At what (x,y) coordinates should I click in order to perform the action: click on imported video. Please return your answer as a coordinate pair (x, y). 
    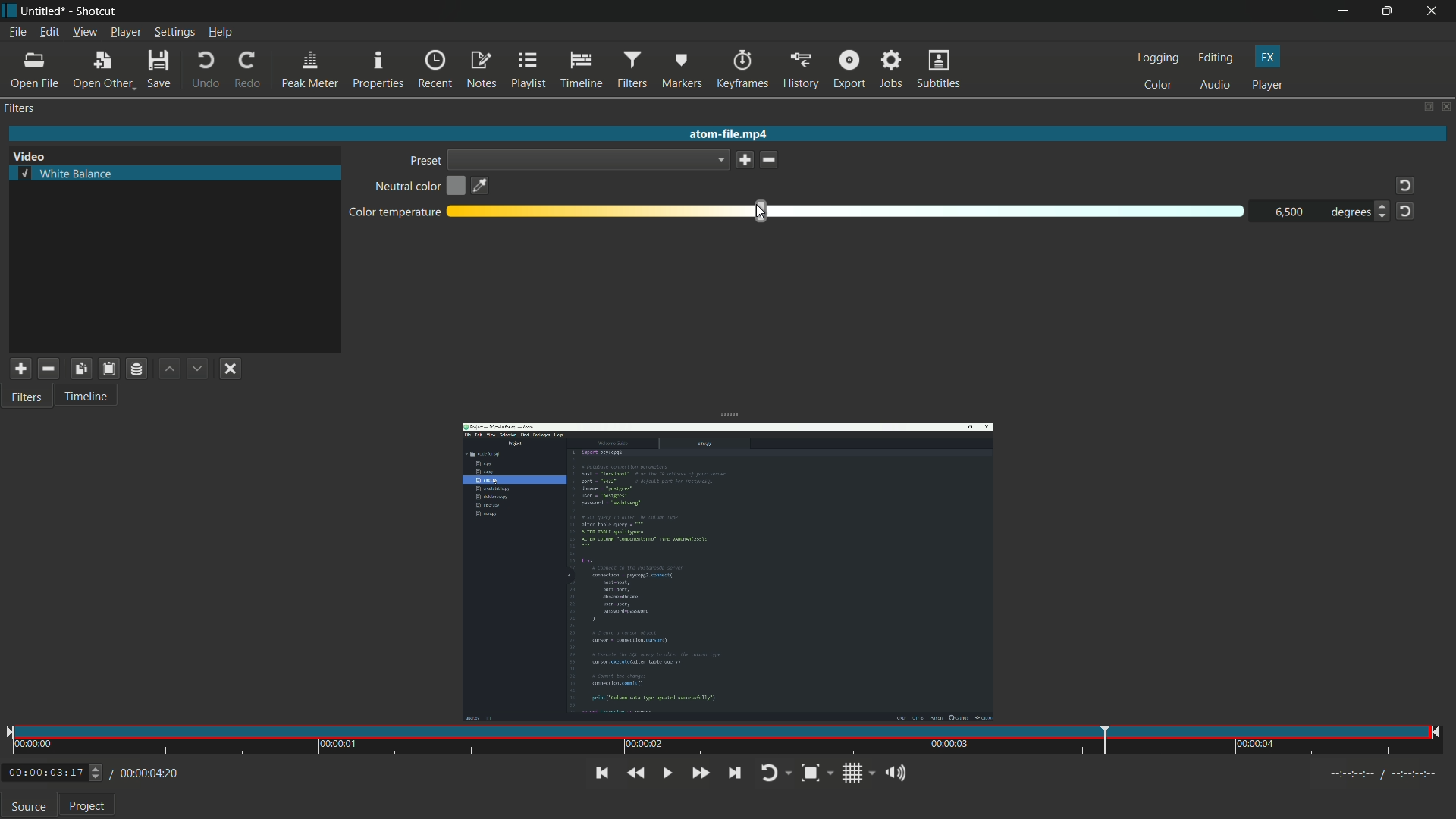
    Looking at the image, I should click on (729, 572).